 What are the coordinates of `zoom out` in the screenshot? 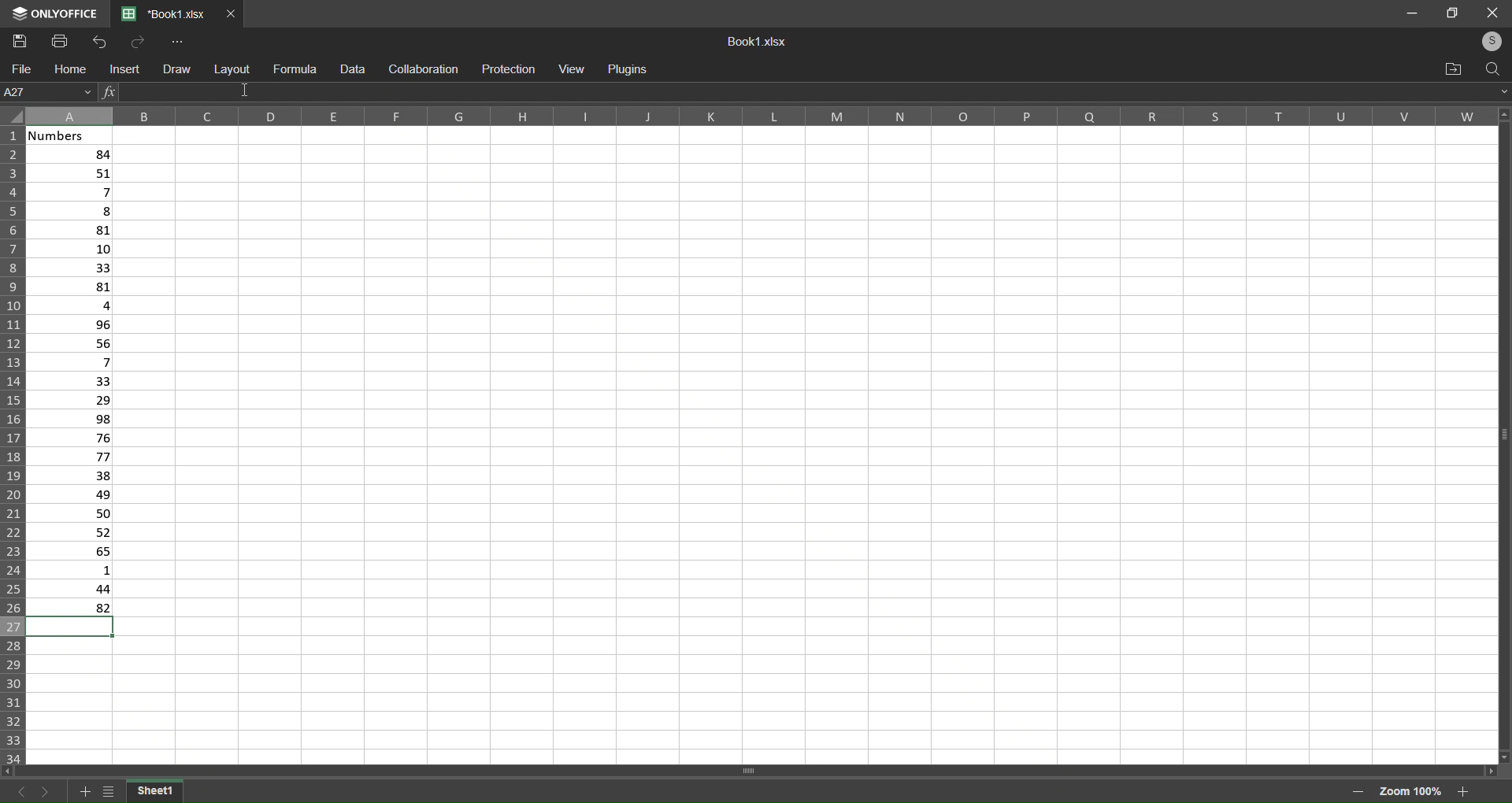 It's located at (1353, 791).